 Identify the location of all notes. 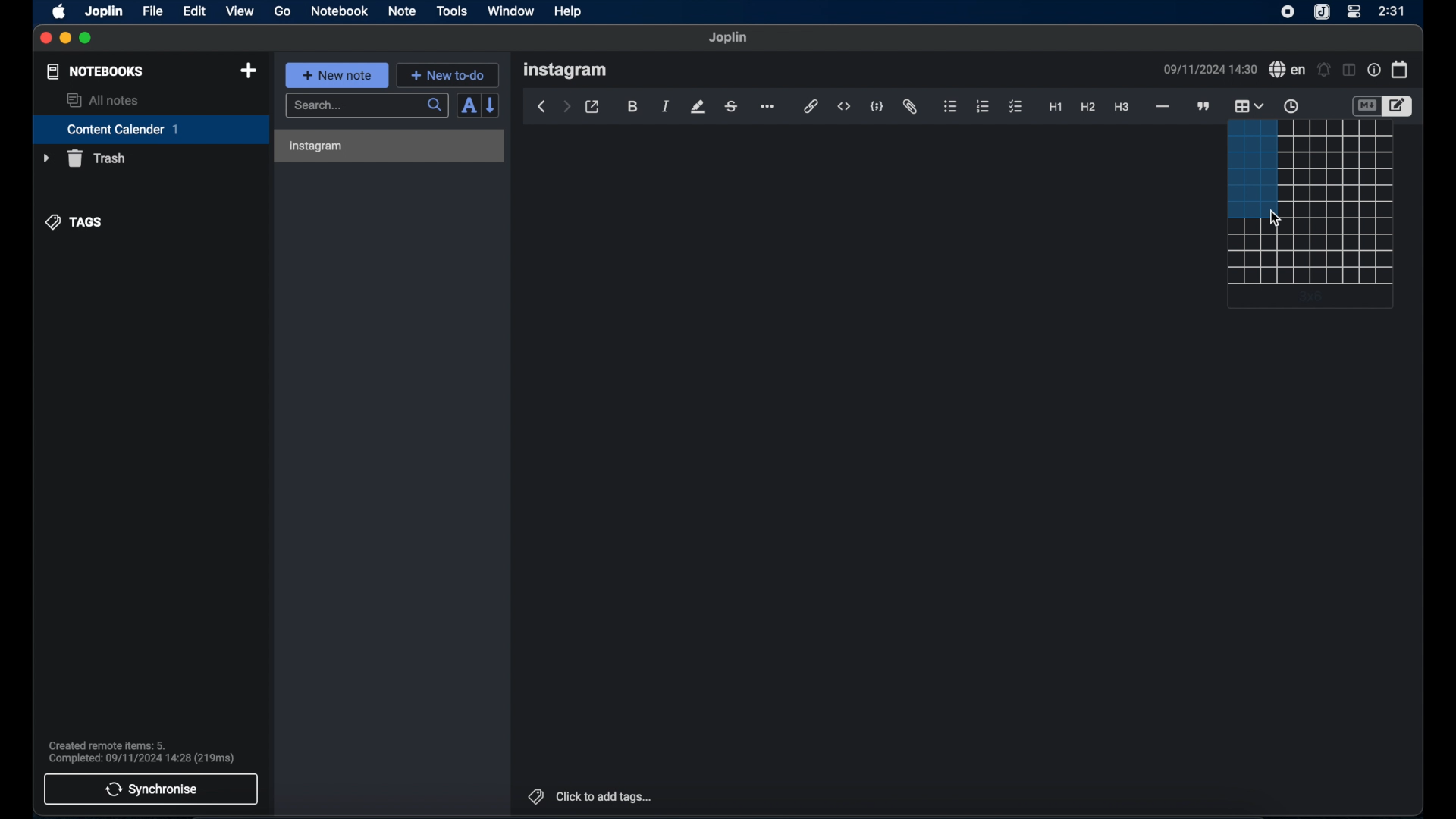
(104, 100).